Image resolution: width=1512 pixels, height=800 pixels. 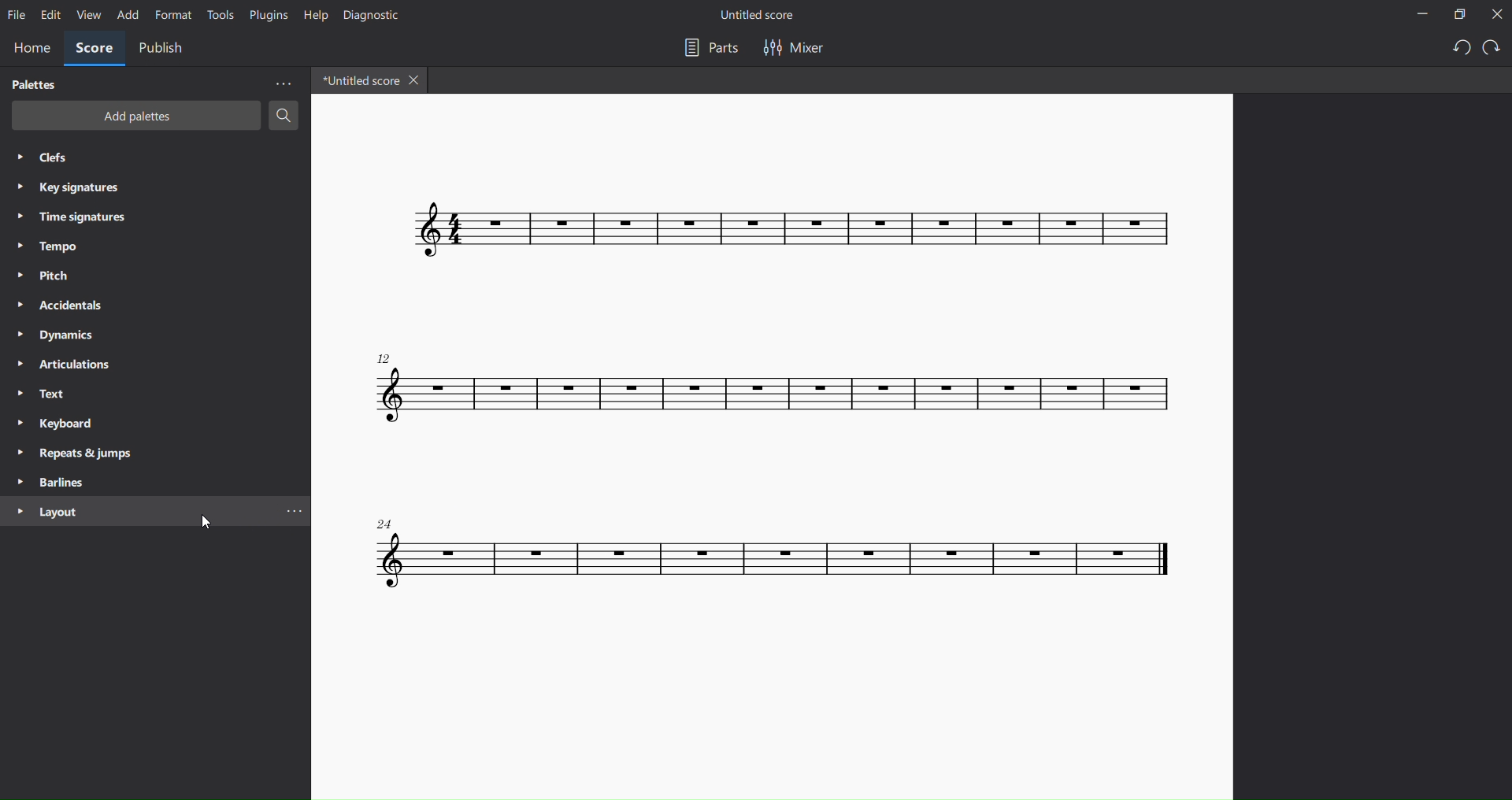 What do you see at coordinates (31, 46) in the screenshot?
I see `home` at bounding box center [31, 46].